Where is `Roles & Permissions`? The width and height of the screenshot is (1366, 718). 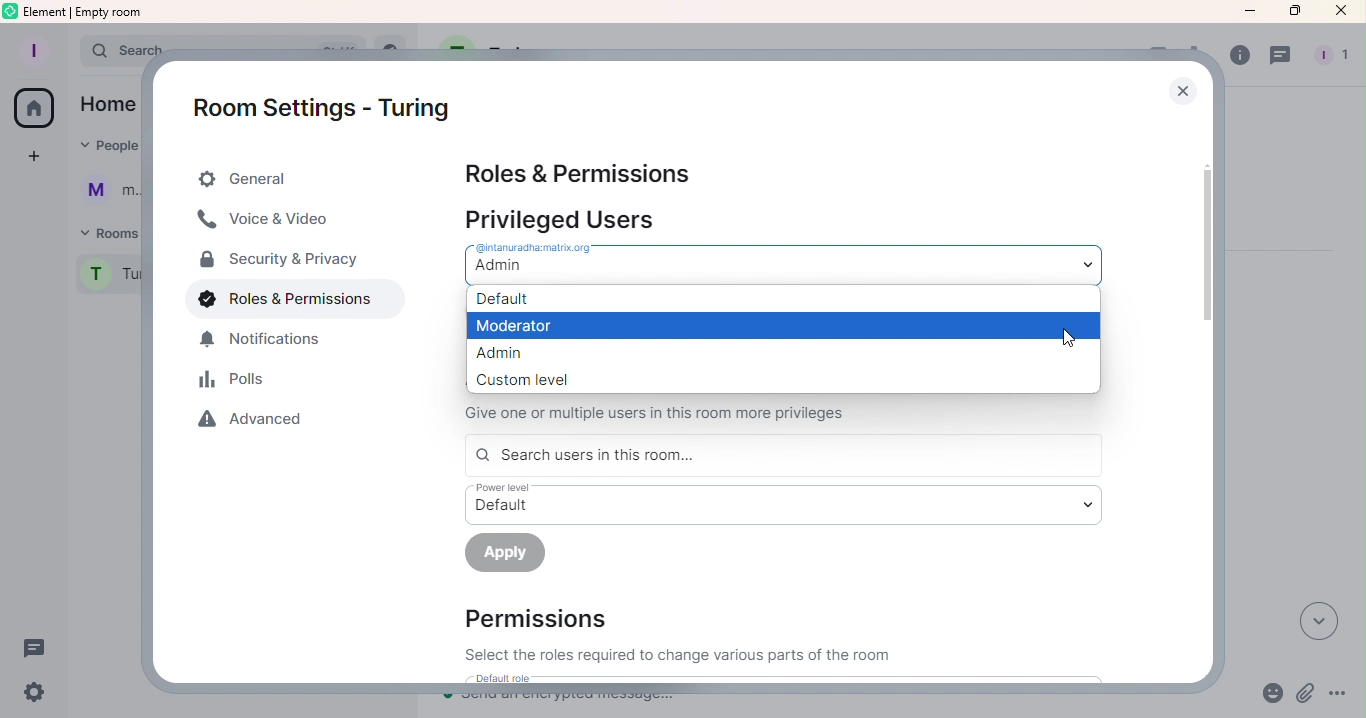
Roles & Permissions is located at coordinates (279, 300).